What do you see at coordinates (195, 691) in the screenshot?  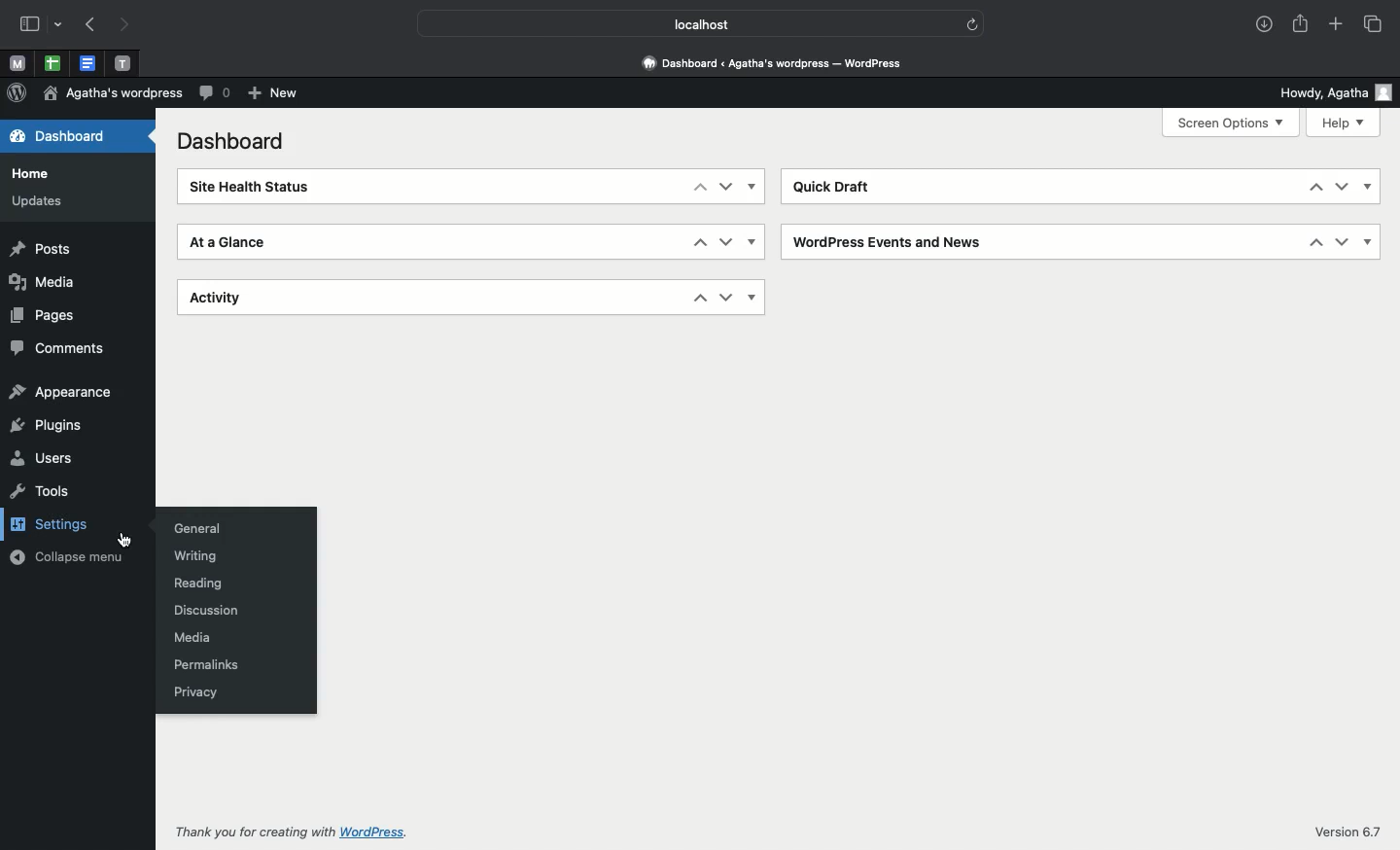 I see `Privacy` at bounding box center [195, 691].